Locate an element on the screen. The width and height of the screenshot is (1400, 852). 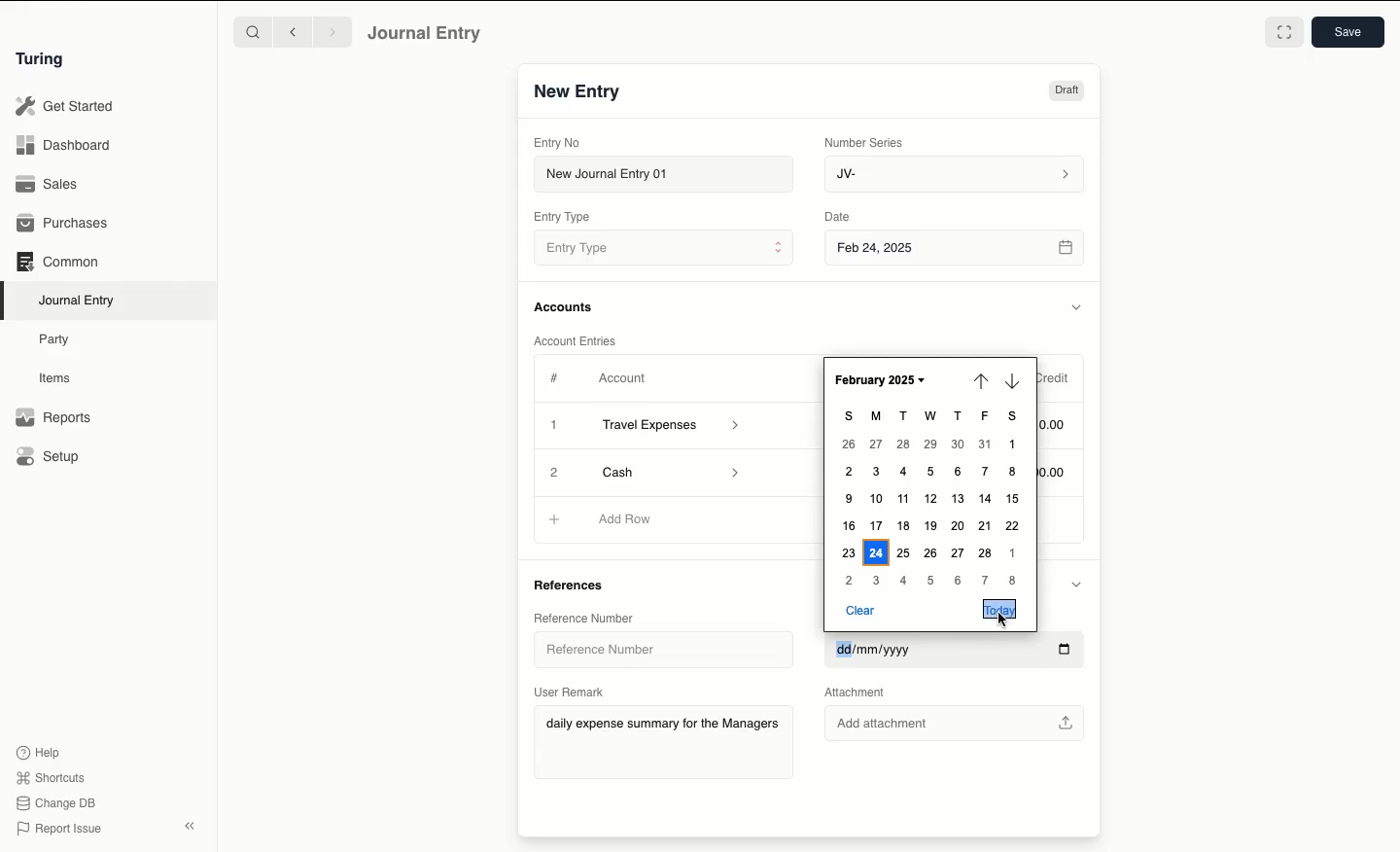
Feb 24, 2025 is located at coordinates (957, 250).